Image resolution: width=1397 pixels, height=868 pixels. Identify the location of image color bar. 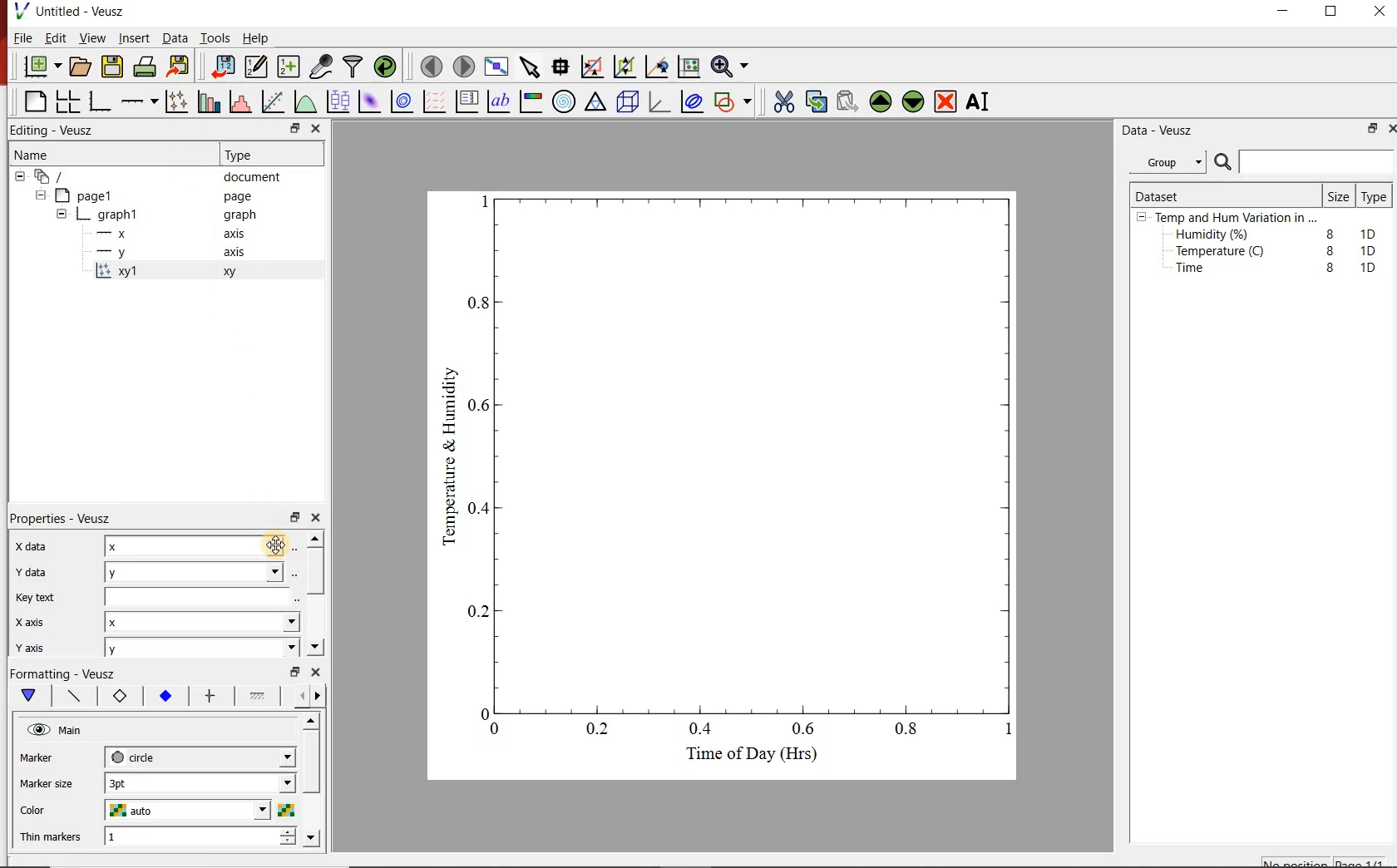
(534, 101).